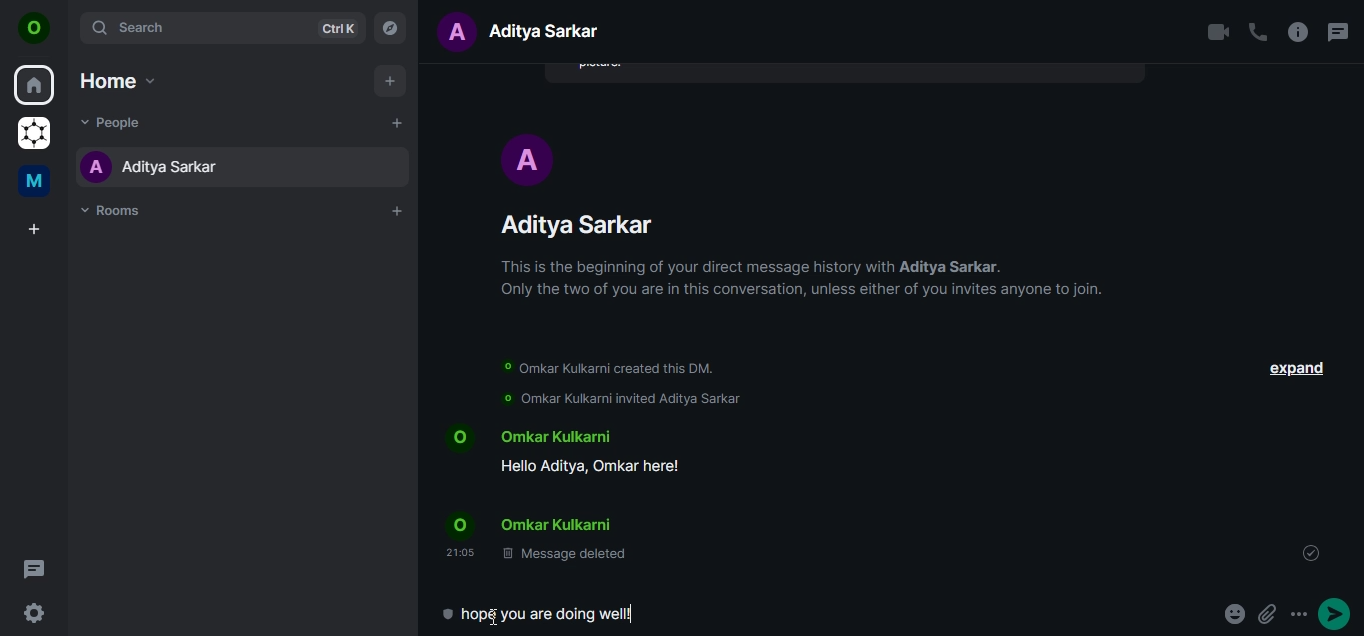  I want to click on send, so click(1334, 612).